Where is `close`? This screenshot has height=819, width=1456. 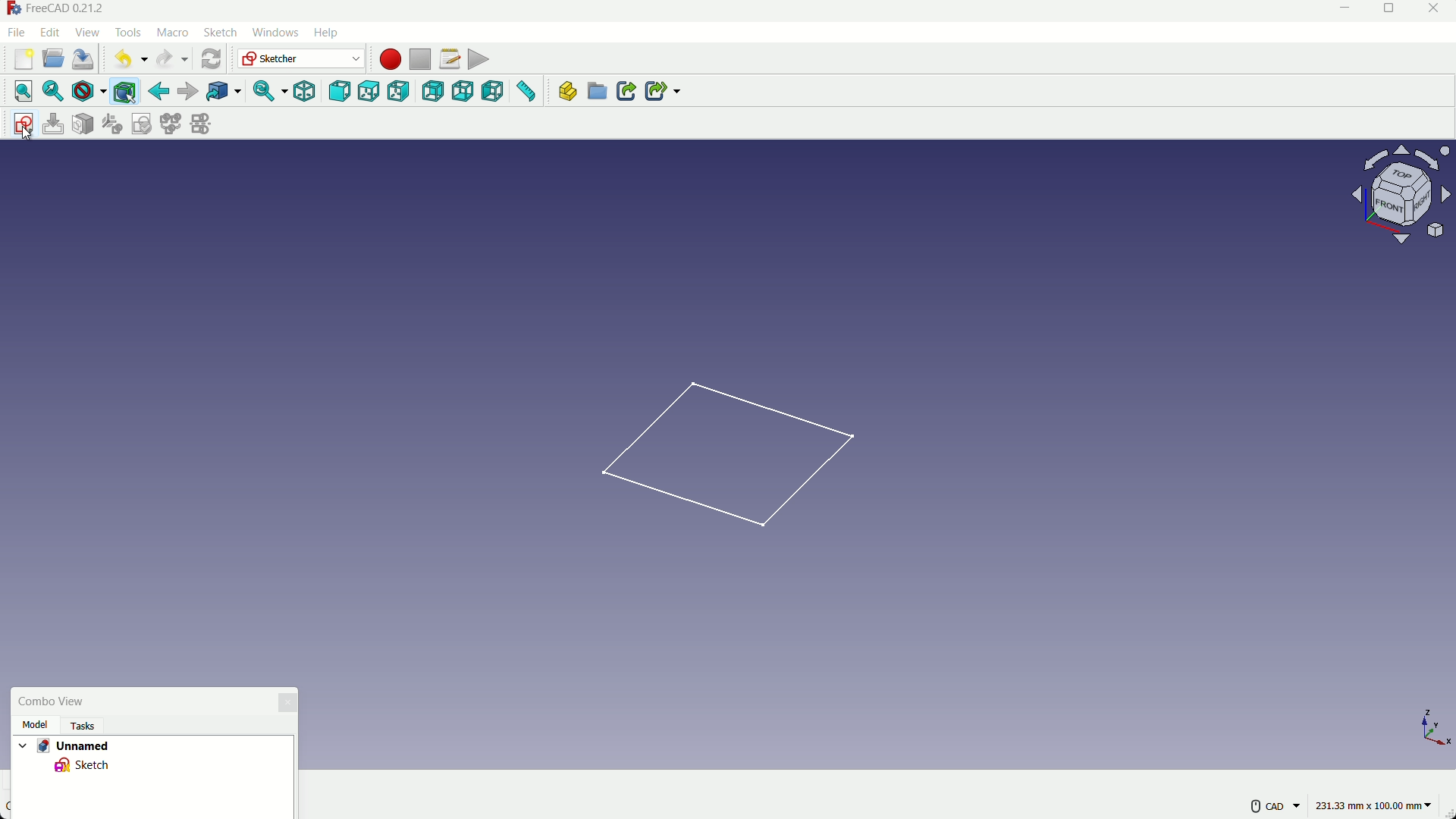
close is located at coordinates (287, 703).